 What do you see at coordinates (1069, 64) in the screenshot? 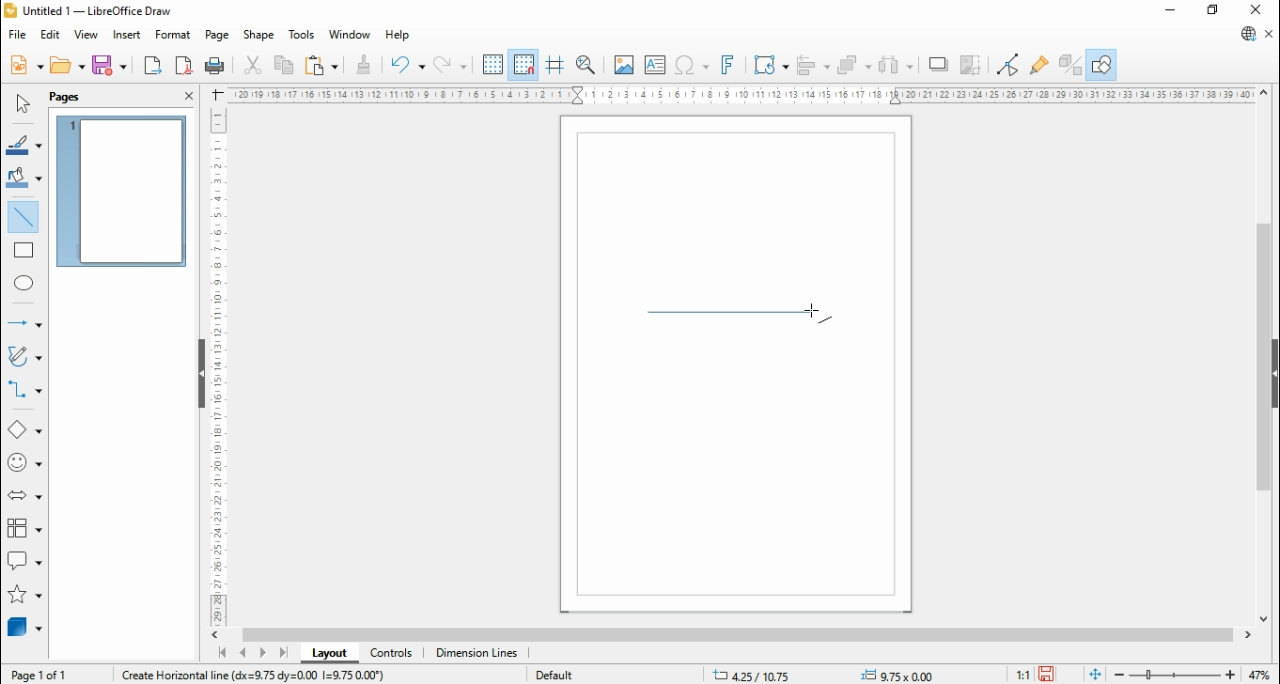
I see `toggle extrusions` at bounding box center [1069, 64].